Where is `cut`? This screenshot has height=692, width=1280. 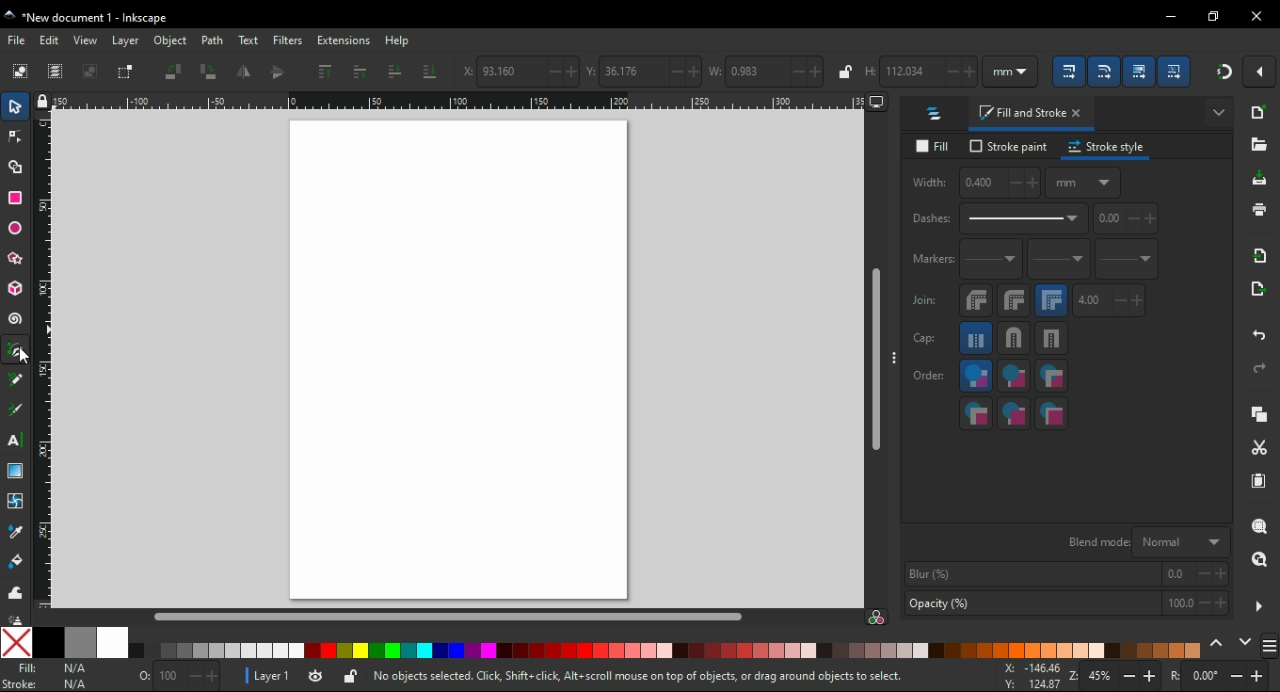 cut is located at coordinates (1258, 449).